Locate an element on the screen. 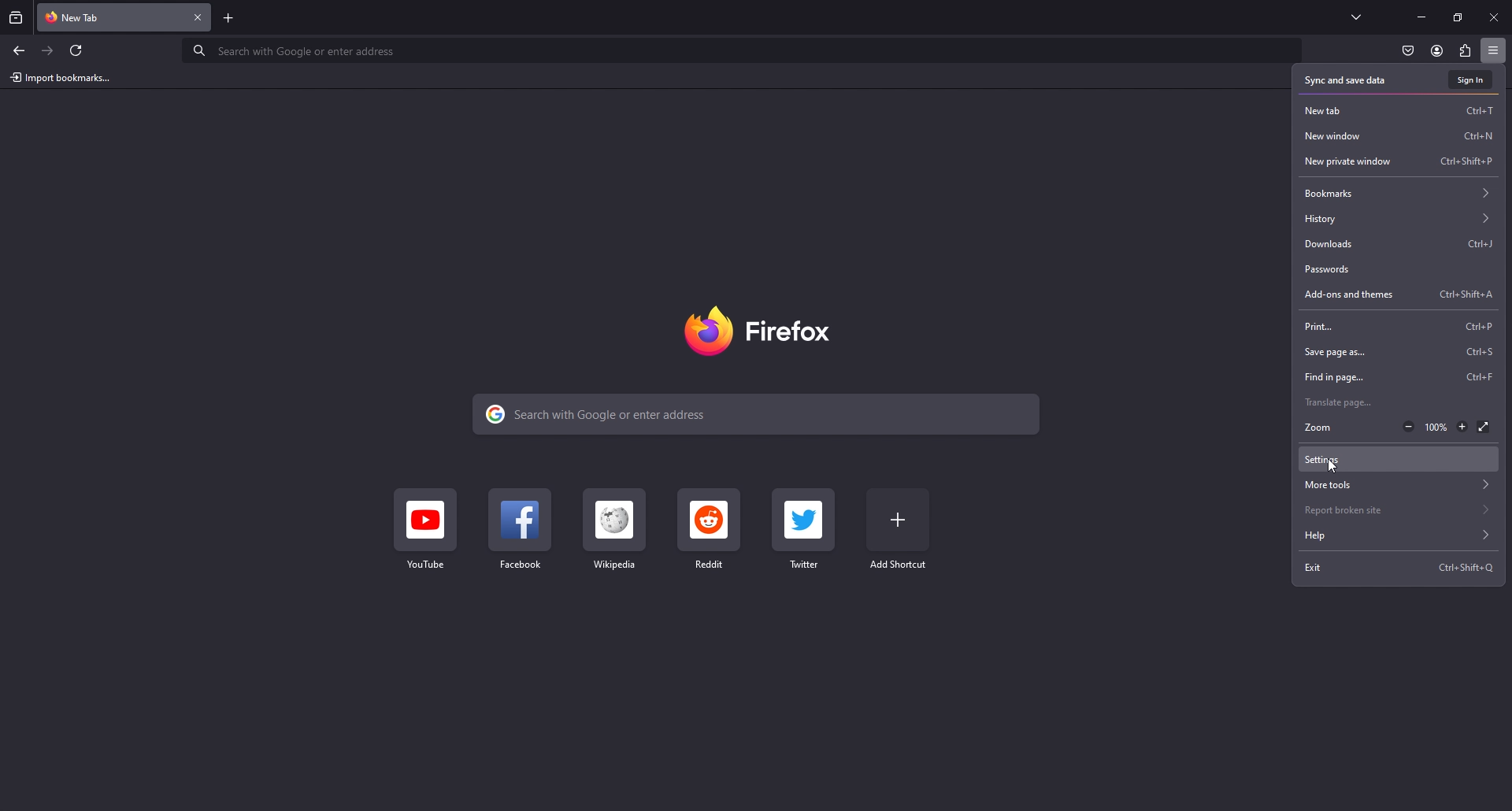  add tab is located at coordinates (228, 18).